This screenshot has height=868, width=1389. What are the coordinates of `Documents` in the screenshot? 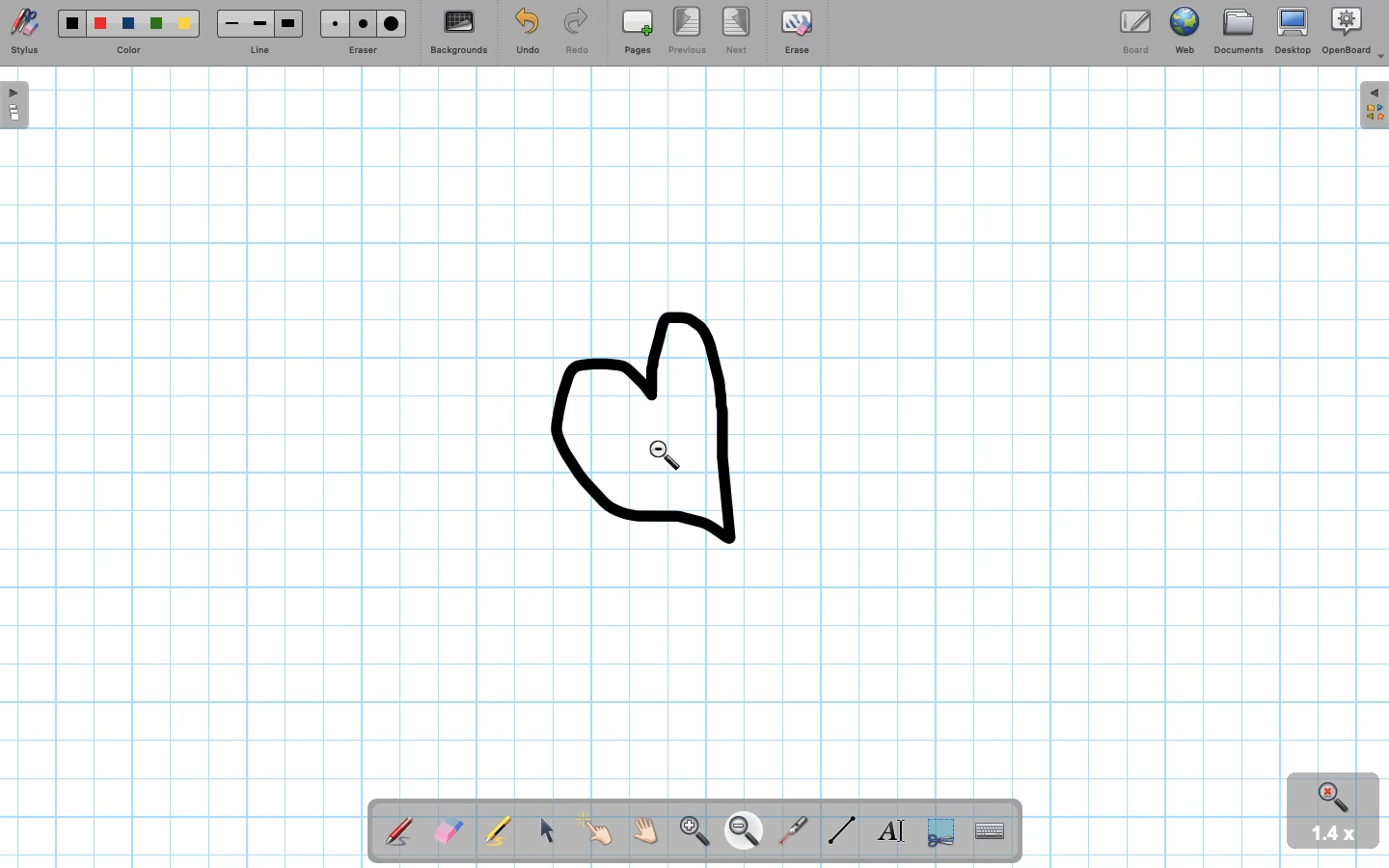 It's located at (1237, 32).